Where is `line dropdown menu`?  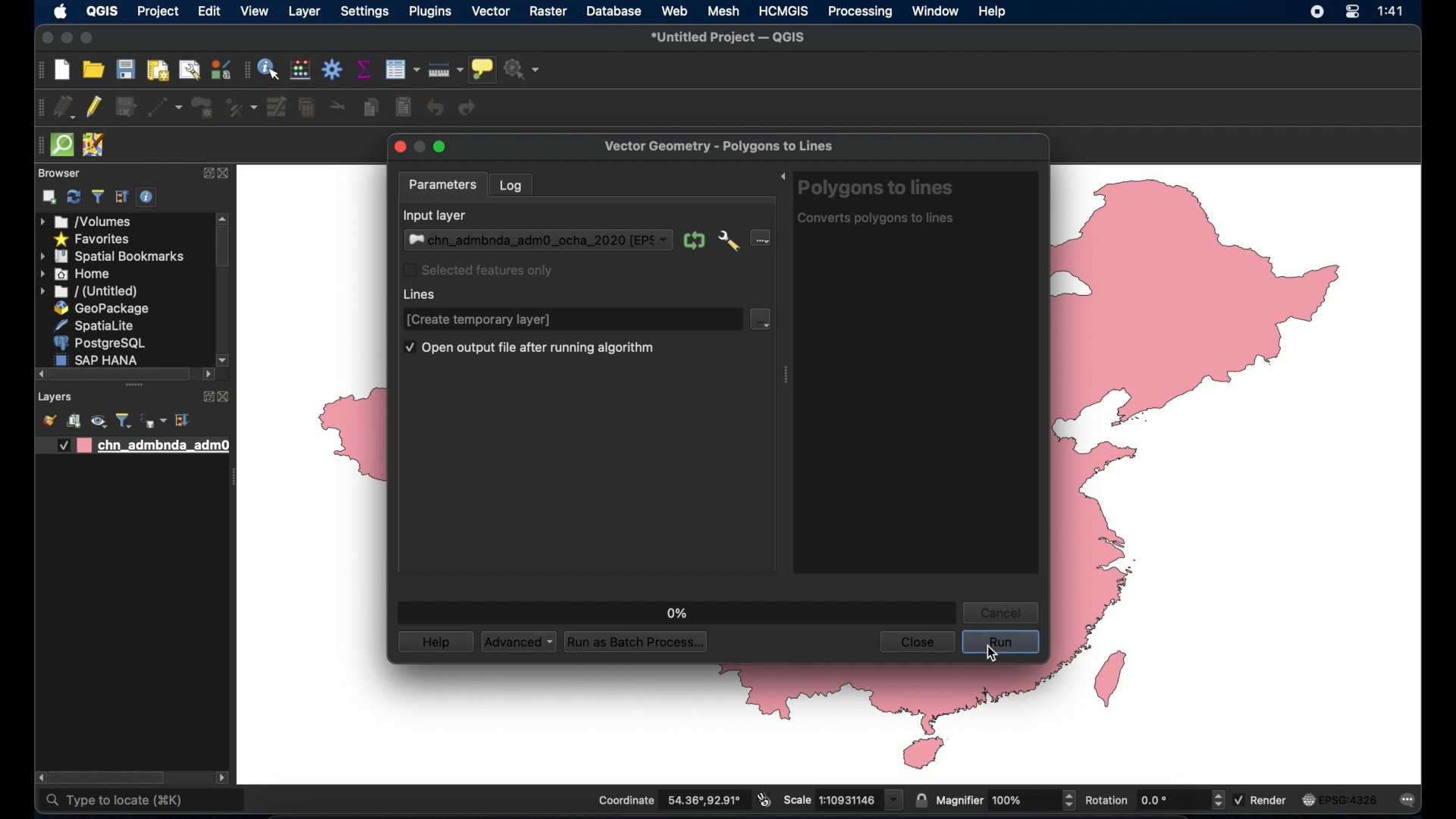 line dropdown menu is located at coordinates (762, 320).